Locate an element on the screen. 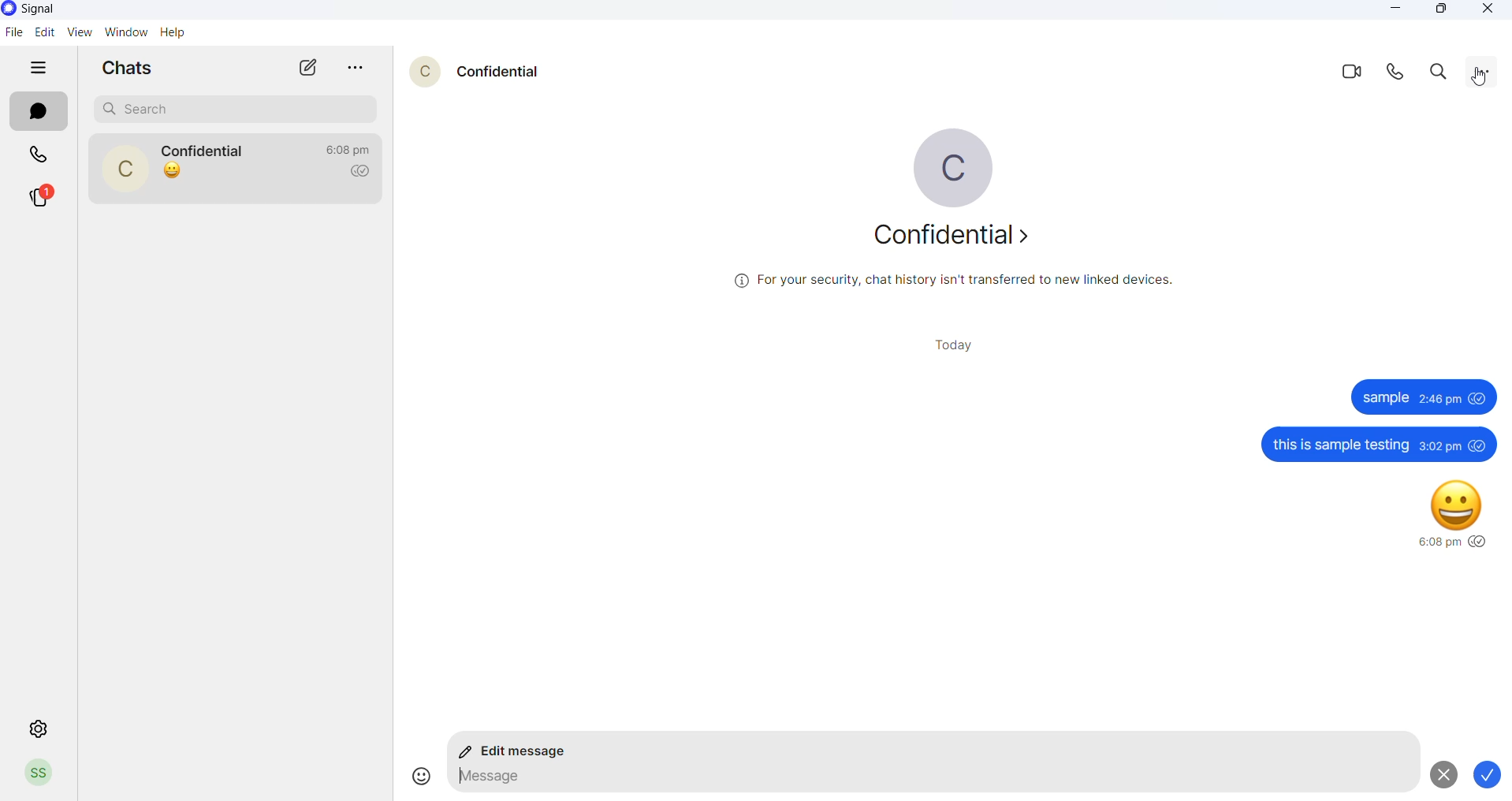  settings is located at coordinates (40, 726).